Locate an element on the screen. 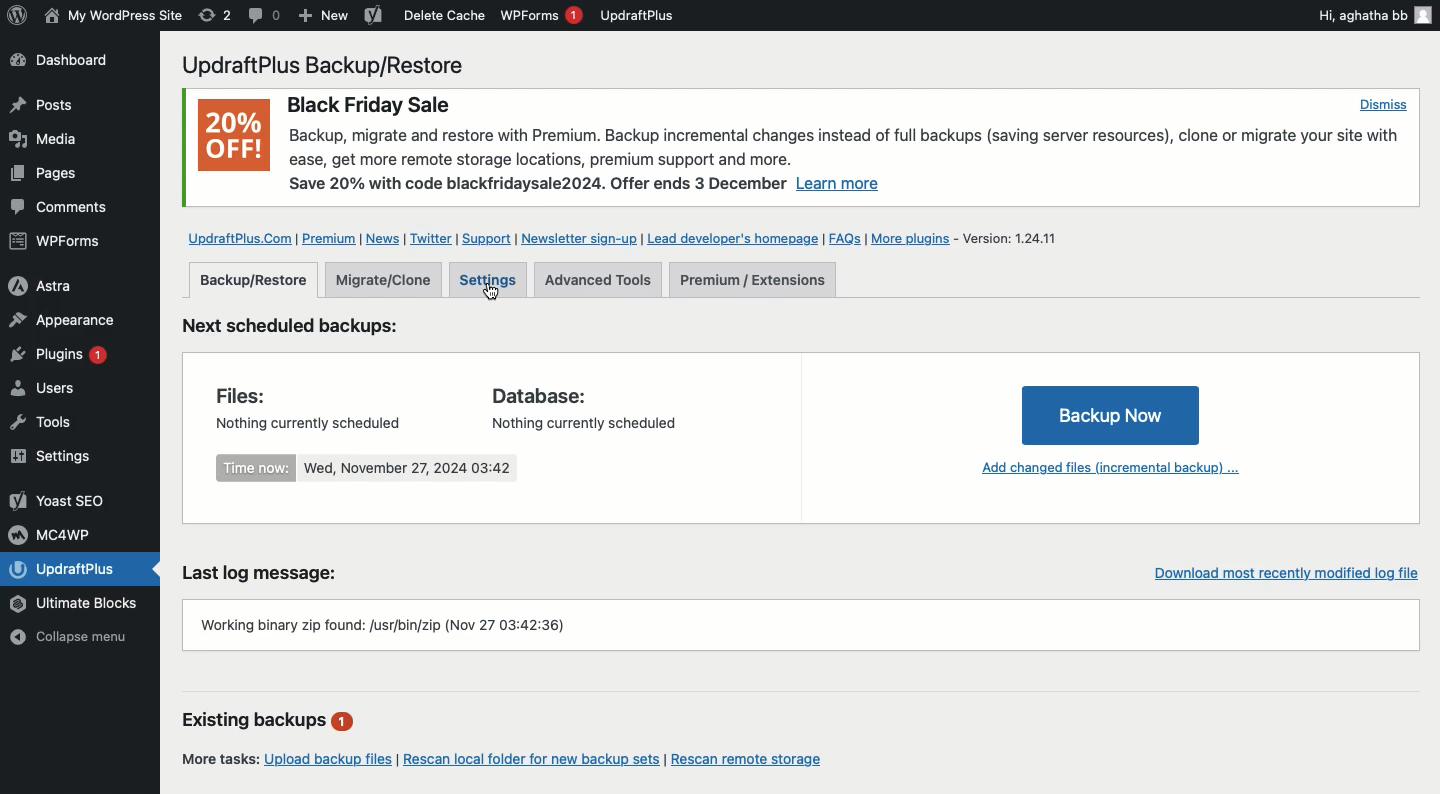 The width and height of the screenshot is (1440, 794). Premium  is located at coordinates (331, 239).